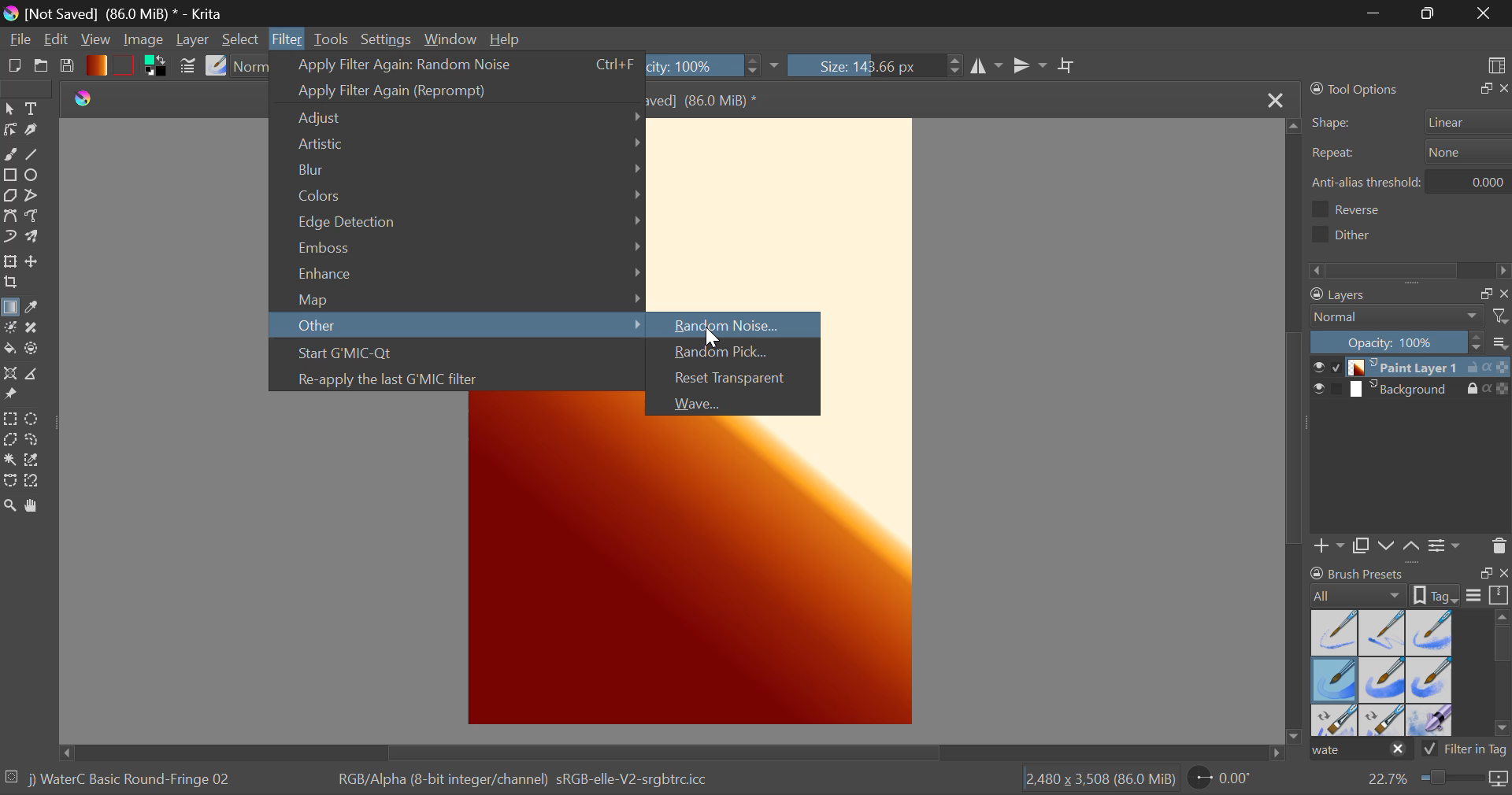  Describe the element at coordinates (1474, 597) in the screenshot. I see `menu` at that location.